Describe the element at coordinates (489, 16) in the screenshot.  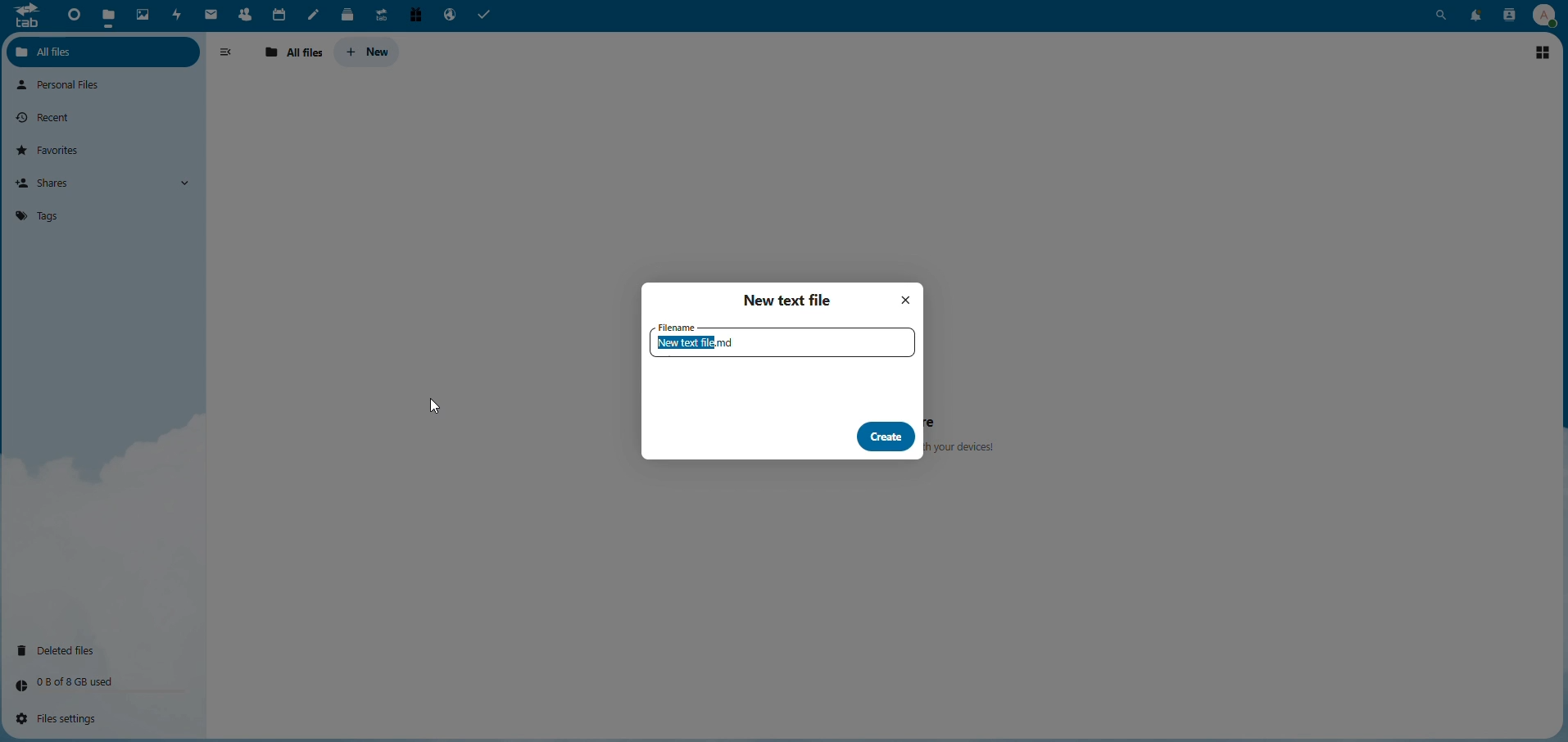
I see `Tasks` at that location.